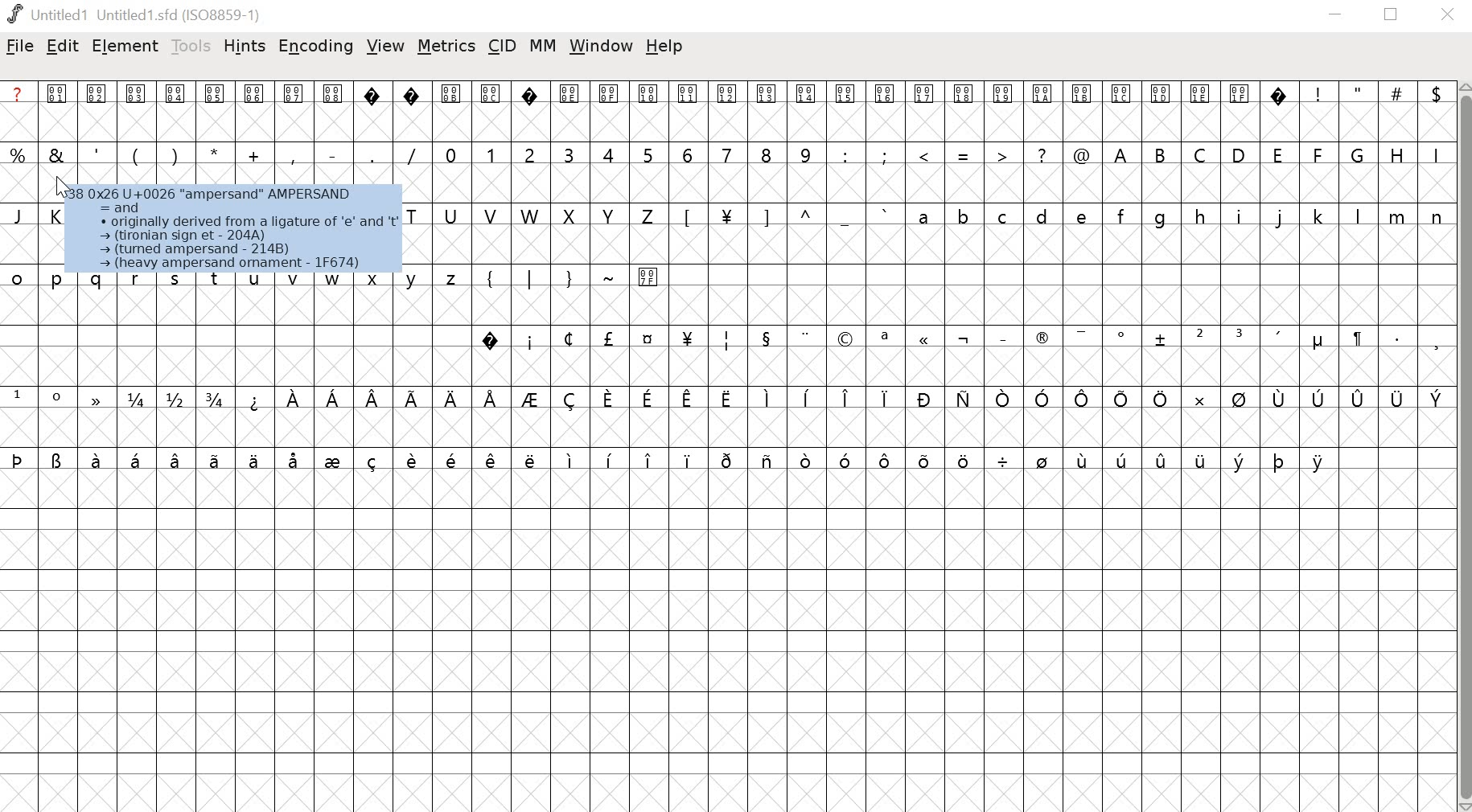 The image size is (1472, 812). I want to click on symbol, so click(610, 457).